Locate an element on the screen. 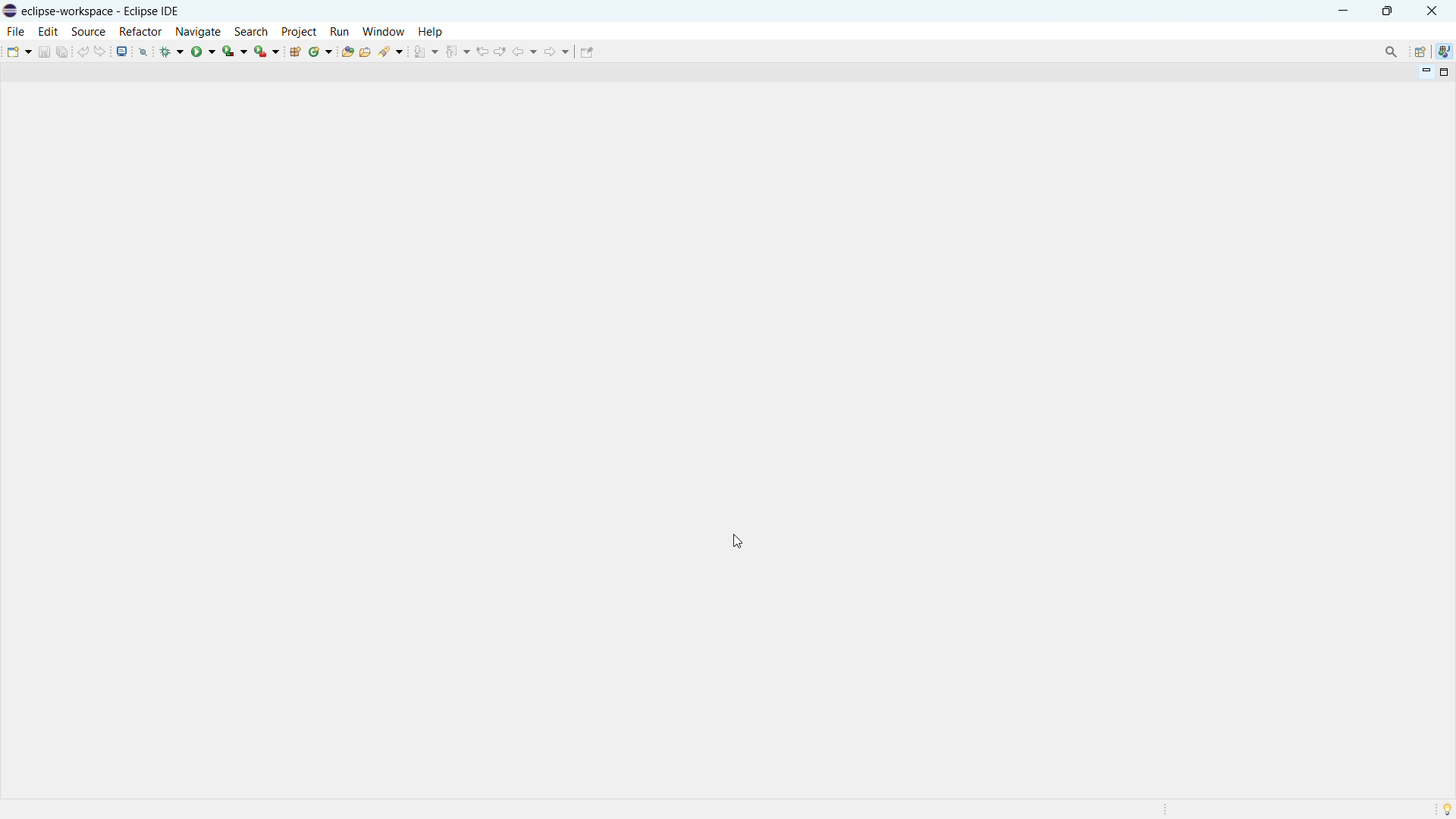 The image size is (1456, 819). refactor is located at coordinates (141, 33).